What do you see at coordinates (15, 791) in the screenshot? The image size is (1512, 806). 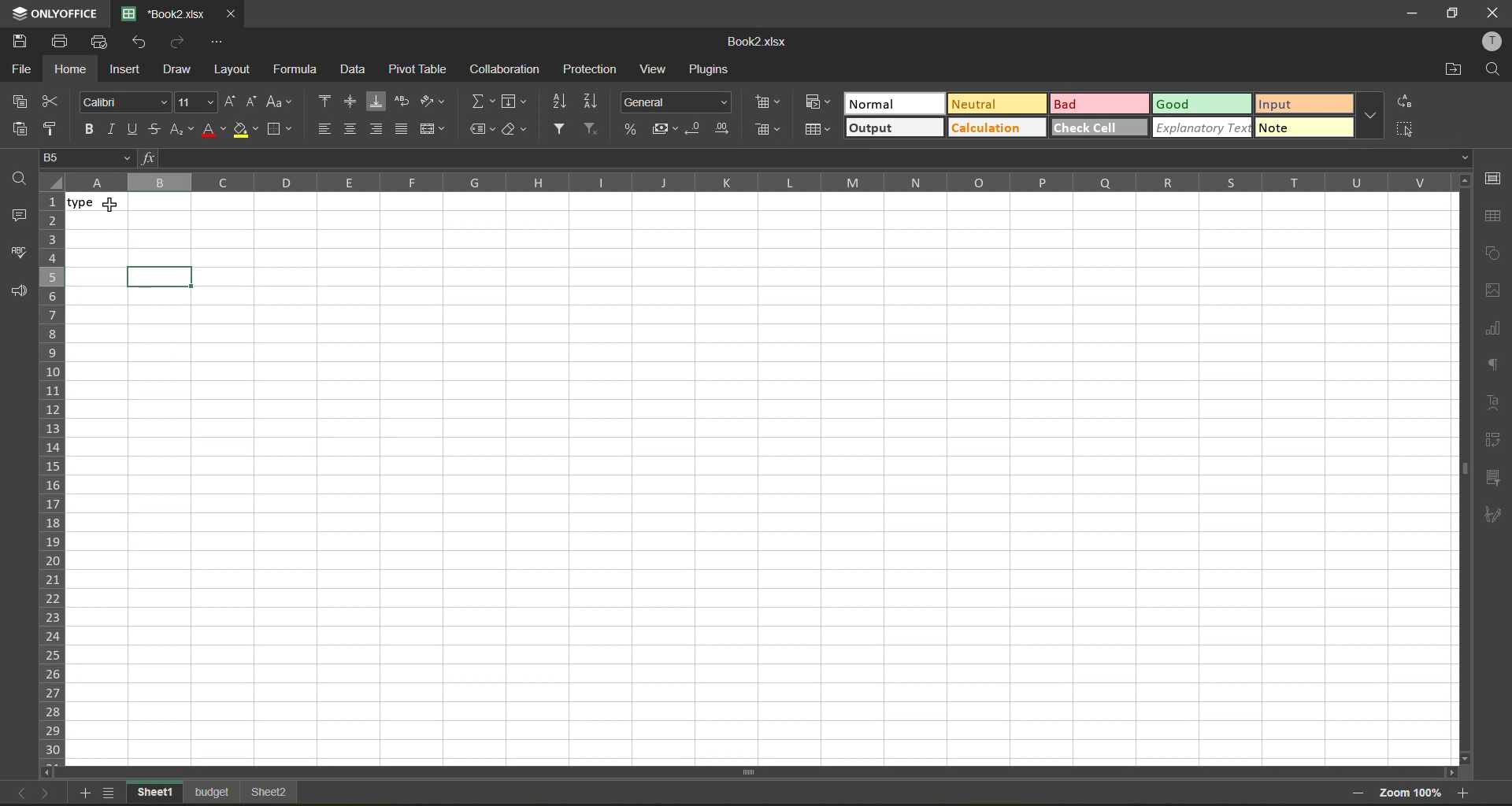 I see `previous` at bounding box center [15, 791].